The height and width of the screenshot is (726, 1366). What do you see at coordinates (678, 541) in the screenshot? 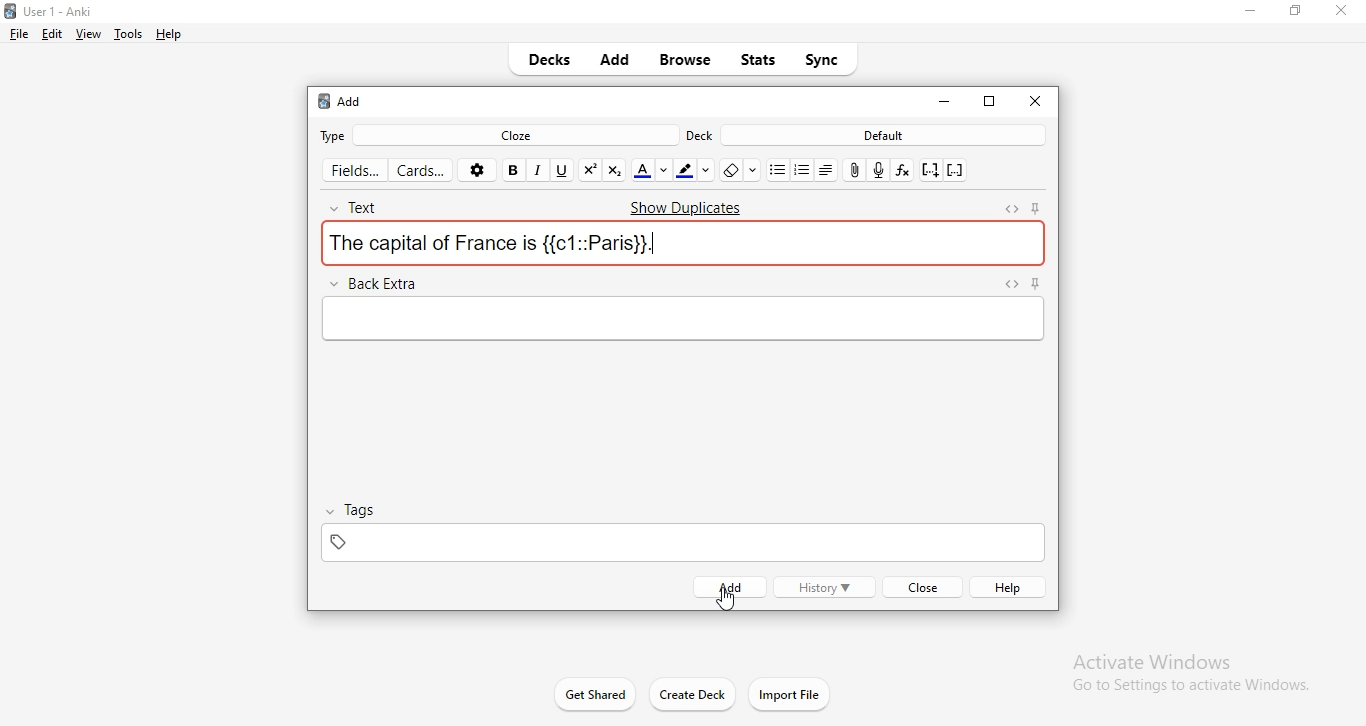
I see `tag box` at bounding box center [678, 541].